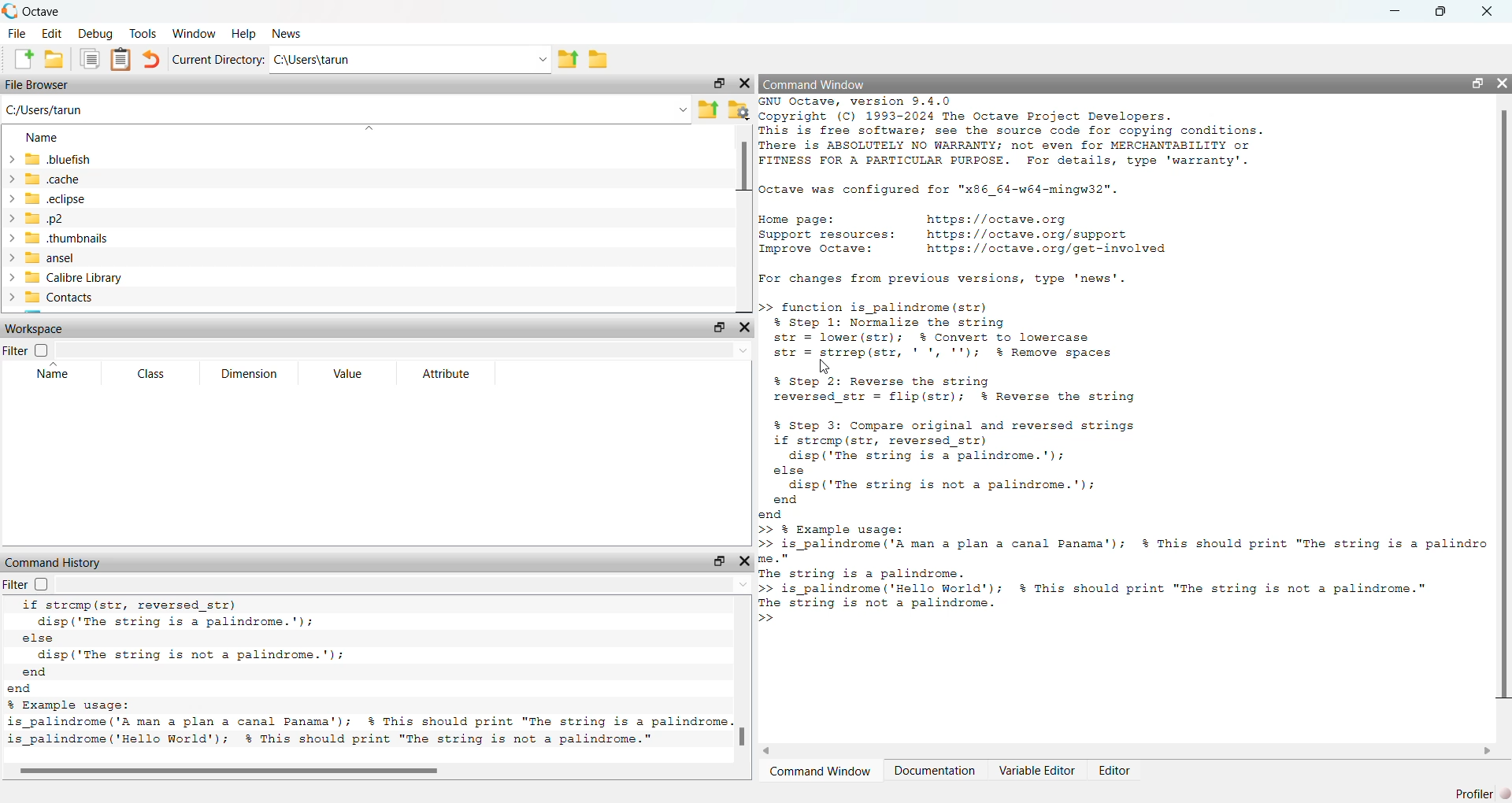 The height and width of the screenshot is (803, 1512). Describe the element at coordinates (365, 714) in the screenshot. I see `code for palindrome` at that location.